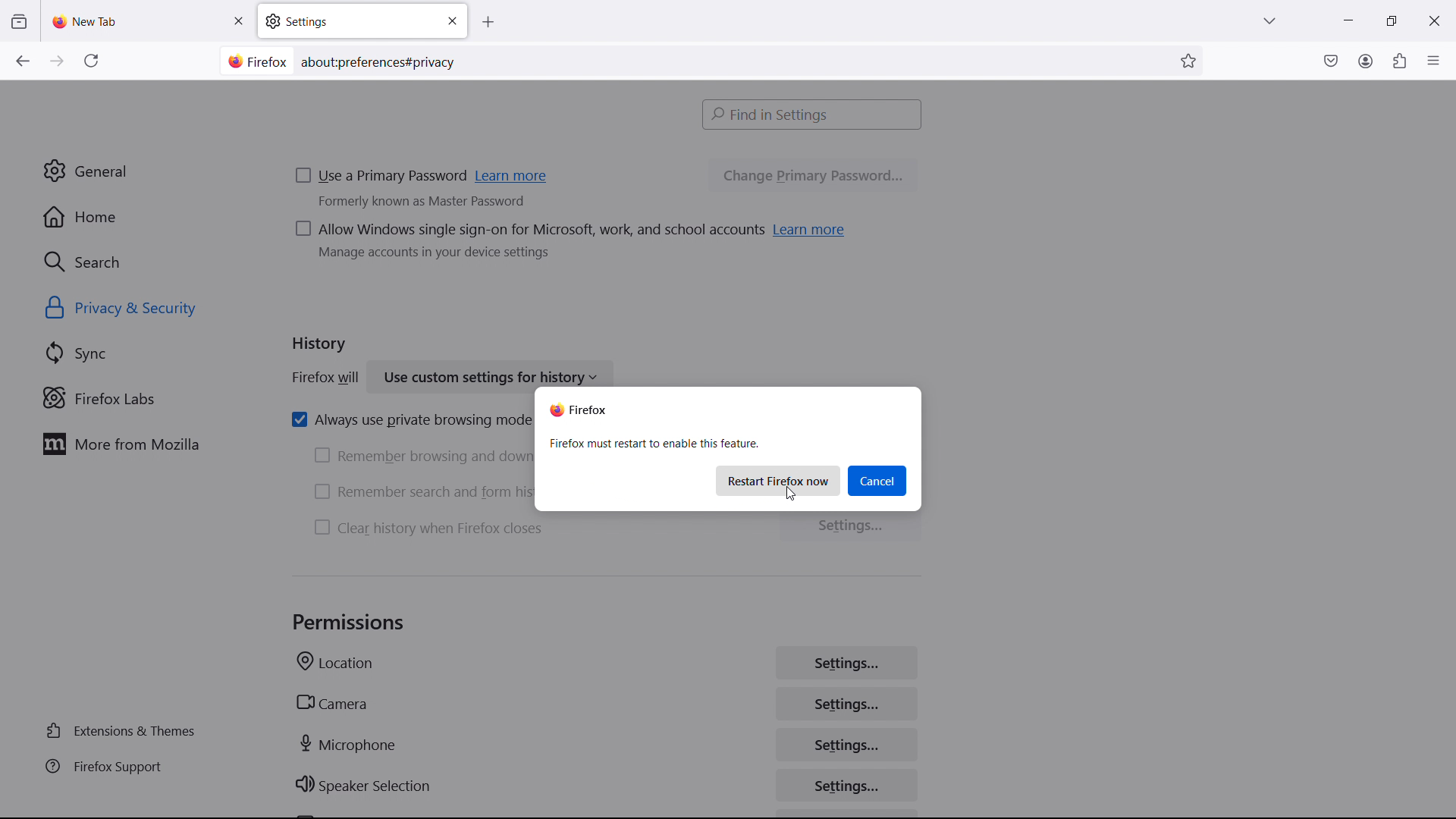 The image size is (1456, 819). What do you see at coordinates (87, 21) in the screenshot?
I see `new tab` at bounding box center [87, 21].